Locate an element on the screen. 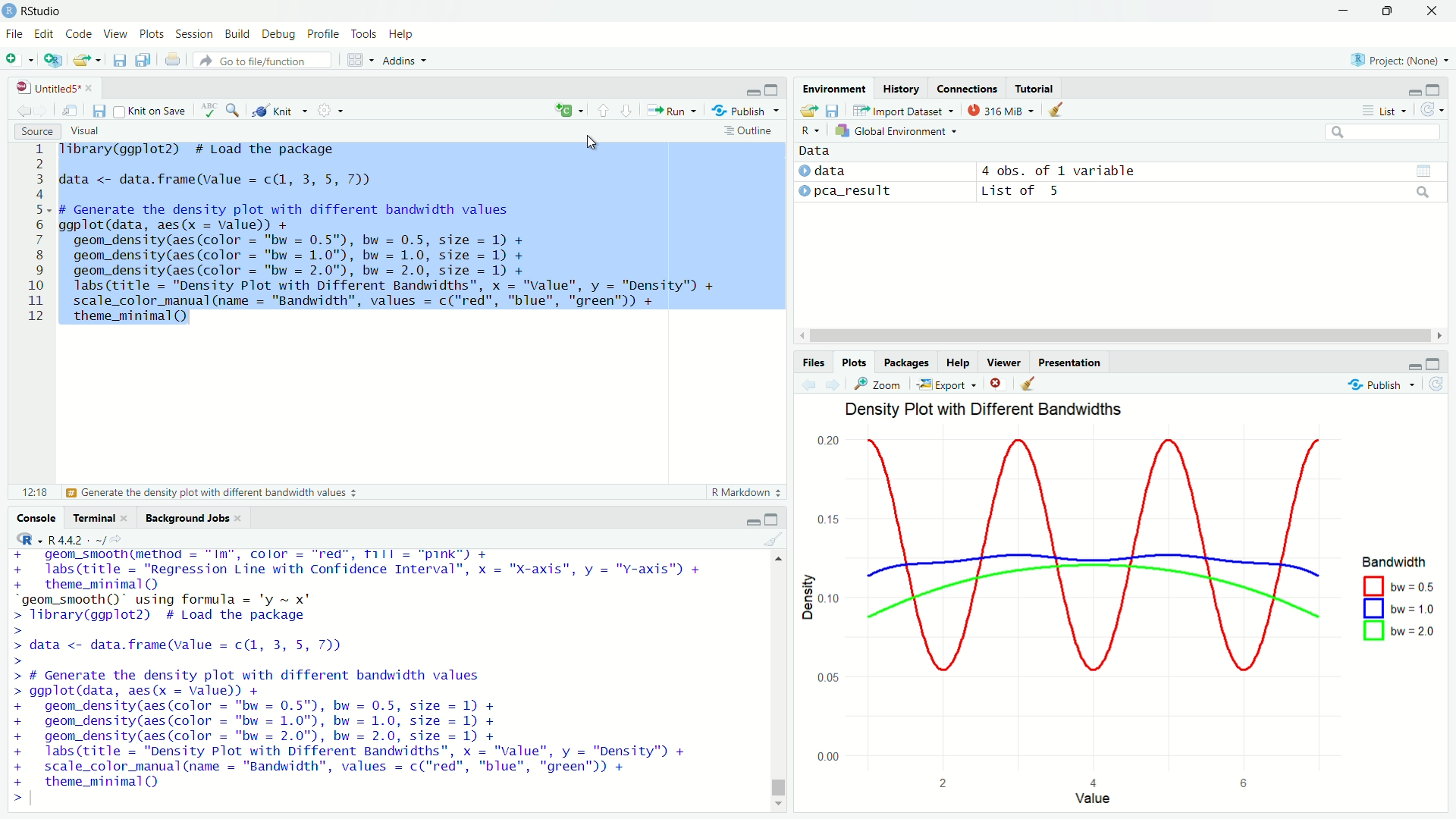  library(ggplot2) # Load the package

data <- data.frame(value = c(1, 3, 5, 7))

# Generate the density plot with different bandwidth values

ggplot(data, aes(x = value)) + bi
geom_density(aes(color = "bw = 0.5"), bw = 0.5, size = 1) +
geom_density(aes(color = "bw = 1.0"), bw = 1.0, size = 1) +
geom_density(aes(color = "bw = 2.0"), bw = 2.0, size = 1) +
labs(title = "Density Plot with Different Bandwidths", x = "value", y = "Density") +
scale_color_manual(name = "Bandwidth", values = c("red", "blue", "green")) +
theme_minimalQ), is located at coordinates (391, 235).